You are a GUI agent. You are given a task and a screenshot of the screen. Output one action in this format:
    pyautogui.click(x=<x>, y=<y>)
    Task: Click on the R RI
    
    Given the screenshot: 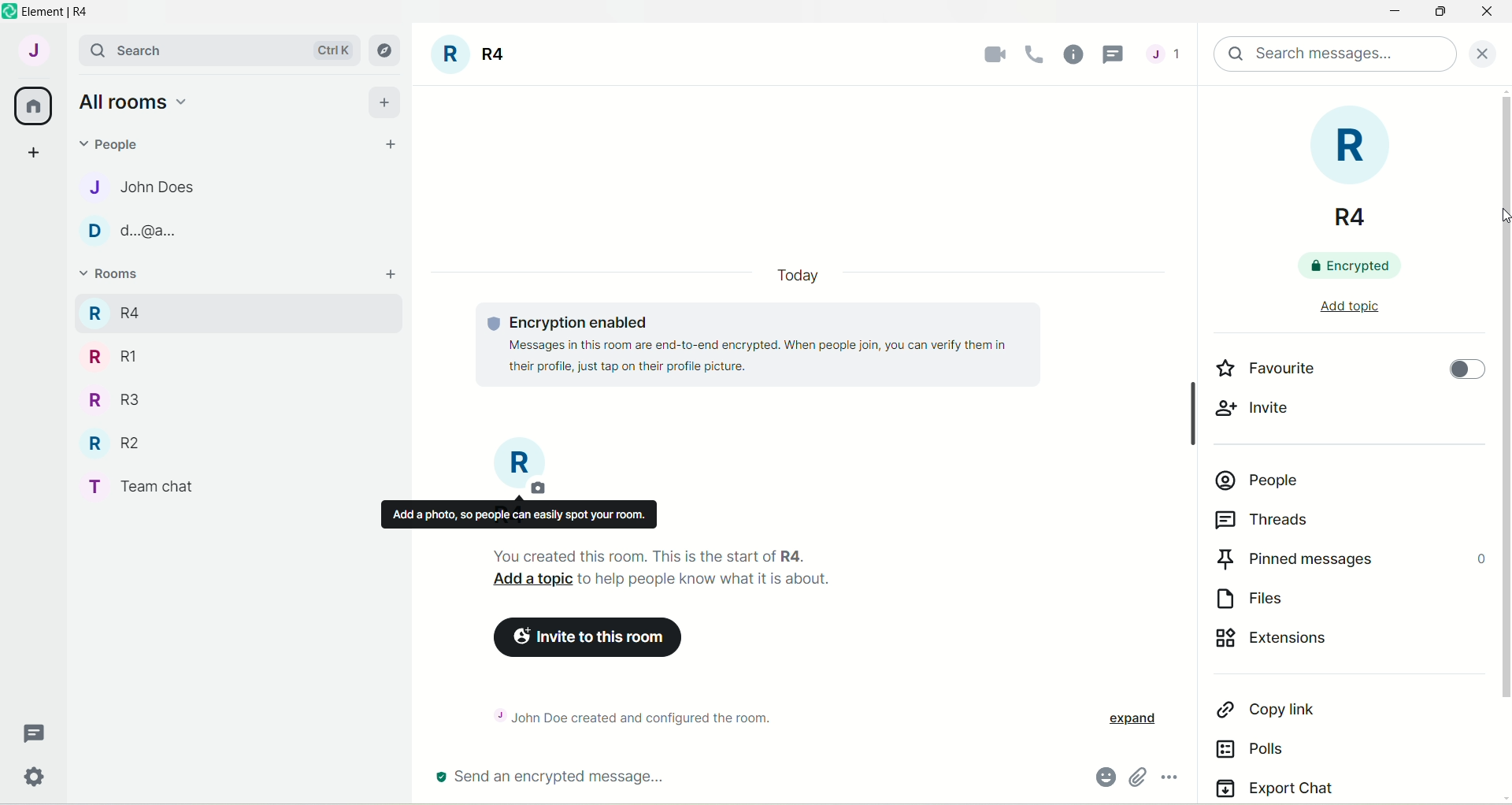 What is the action you would take?
    pyautogui.click(x=113, y=356)
    